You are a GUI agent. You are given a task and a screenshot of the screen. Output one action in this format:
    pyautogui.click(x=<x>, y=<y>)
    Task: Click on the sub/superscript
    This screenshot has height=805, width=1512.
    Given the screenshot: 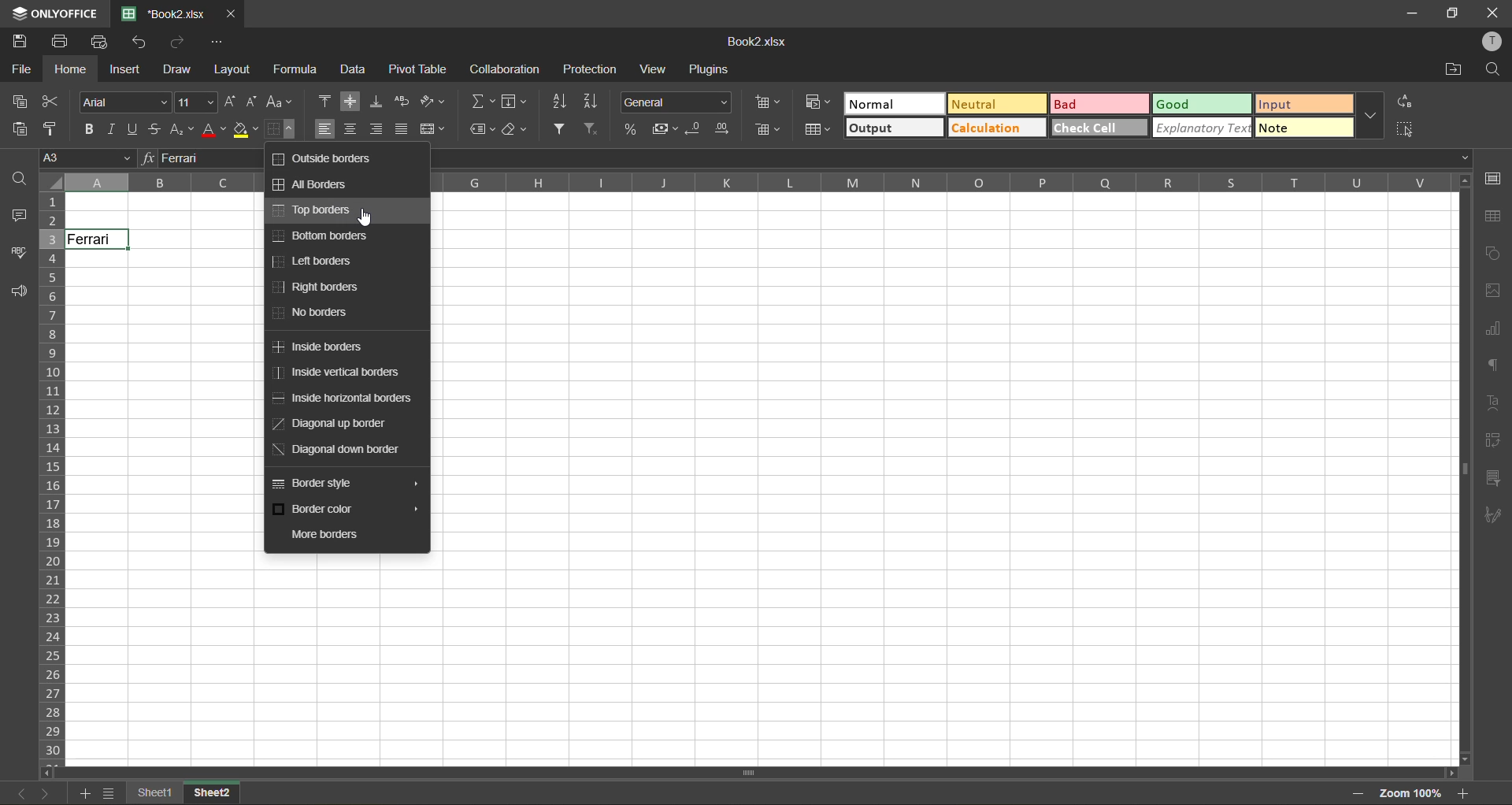 What is the action you would take?
    pyautogui.click(x=180, y=132)
    